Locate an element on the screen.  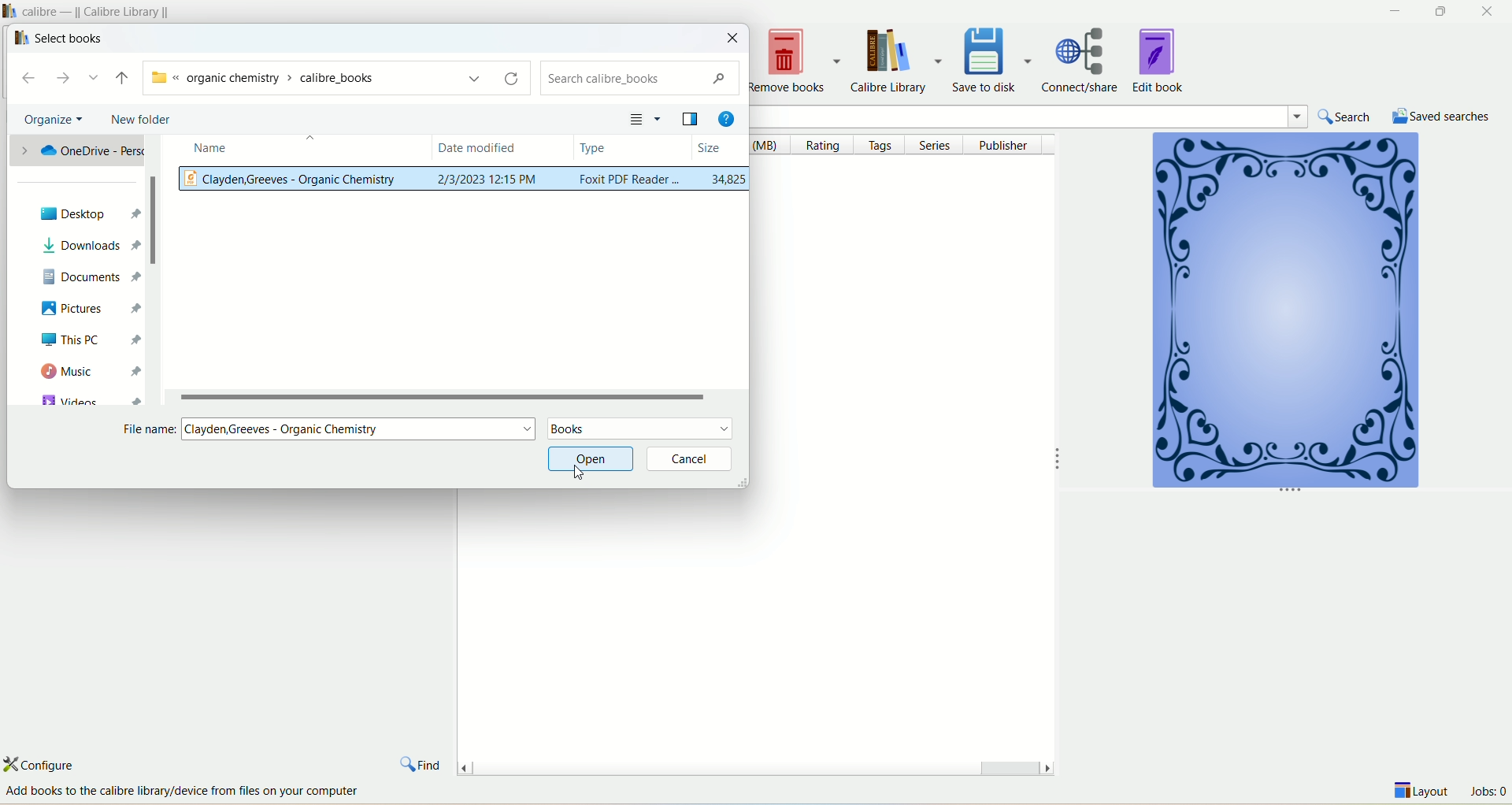
books is located at coordinates (639, 429).